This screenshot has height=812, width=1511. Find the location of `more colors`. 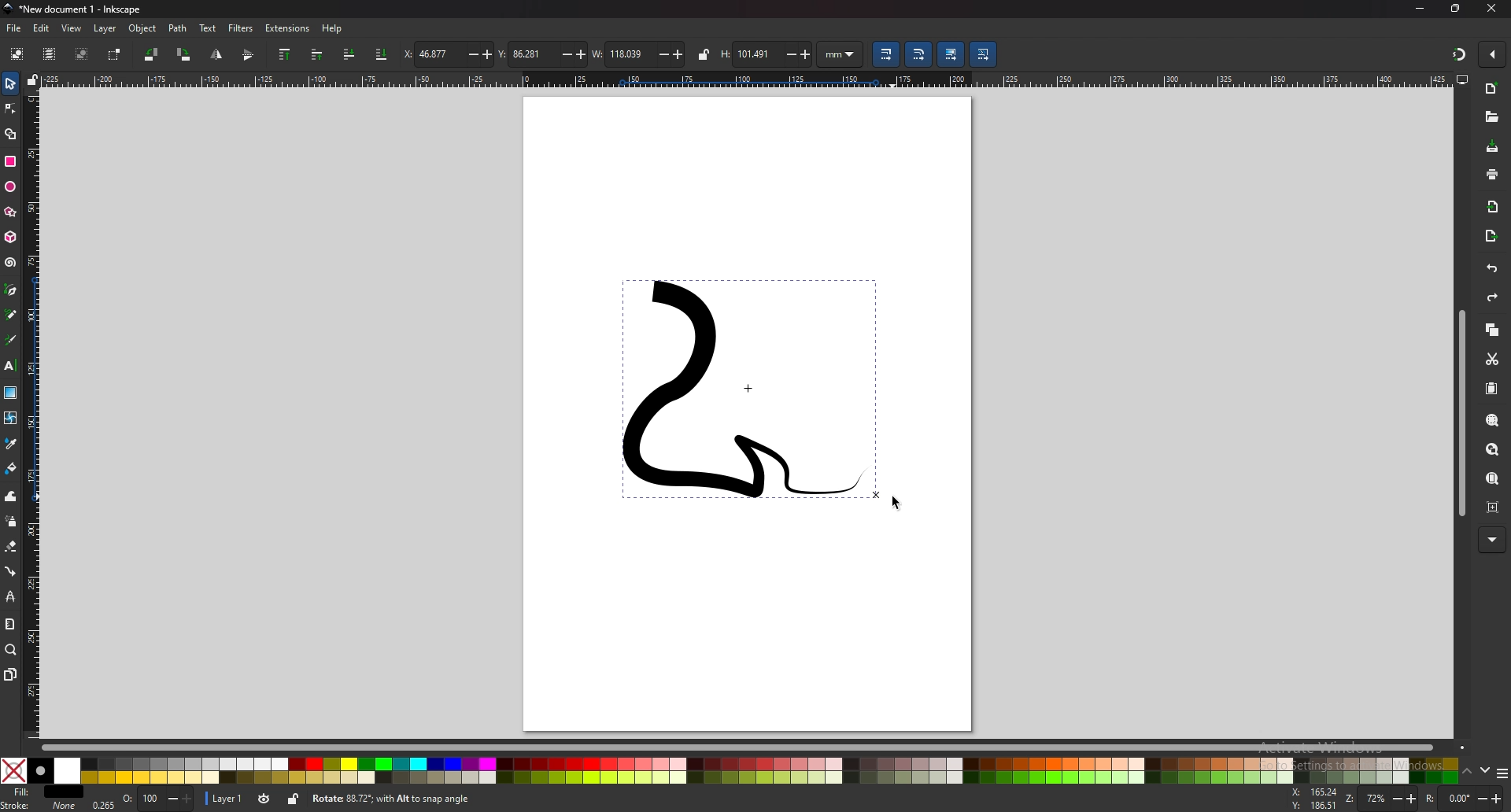

more colors is located at coordinates (1502, 773).